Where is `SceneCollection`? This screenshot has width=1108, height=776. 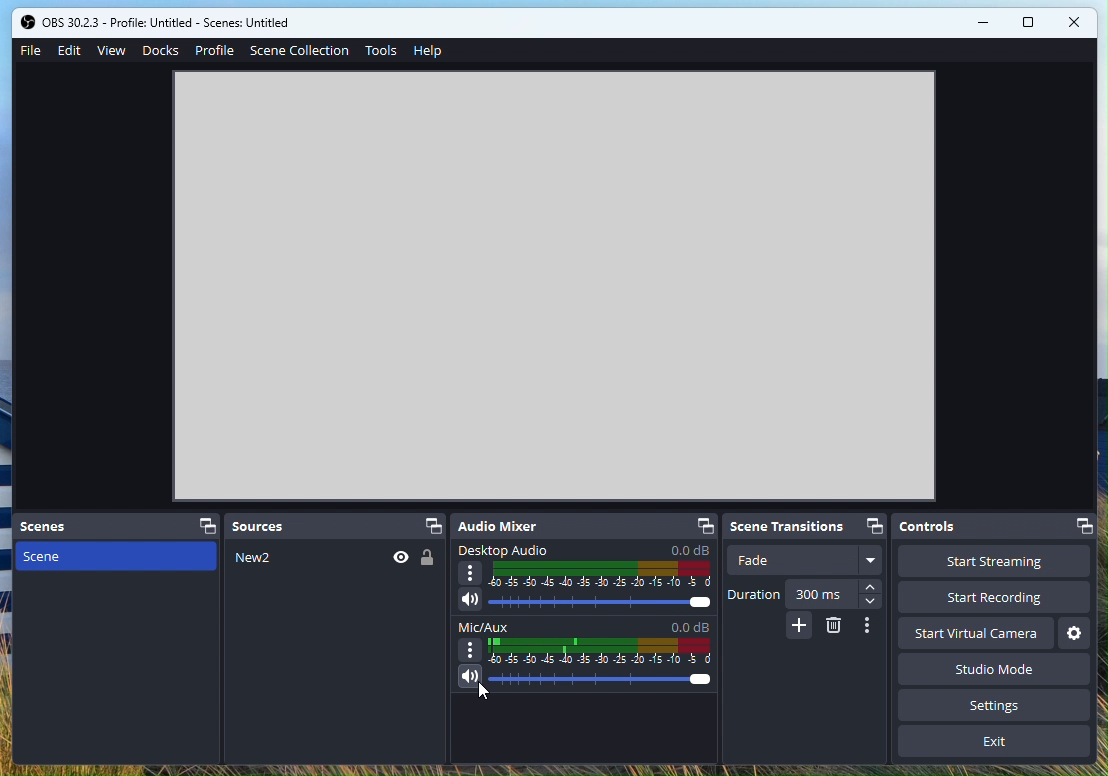
SceneCollection is located at coordinates (300, 53).